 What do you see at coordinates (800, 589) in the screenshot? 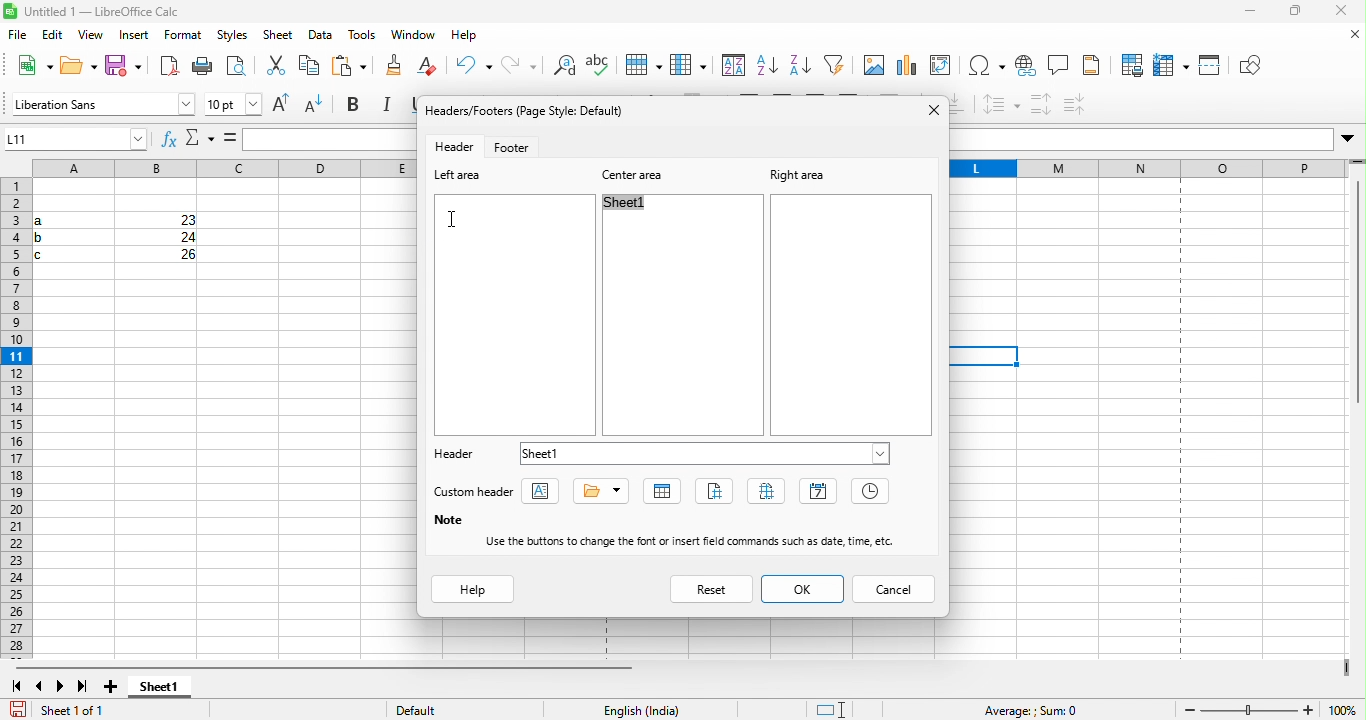
I see `ok` at bounding box center [800, 589].